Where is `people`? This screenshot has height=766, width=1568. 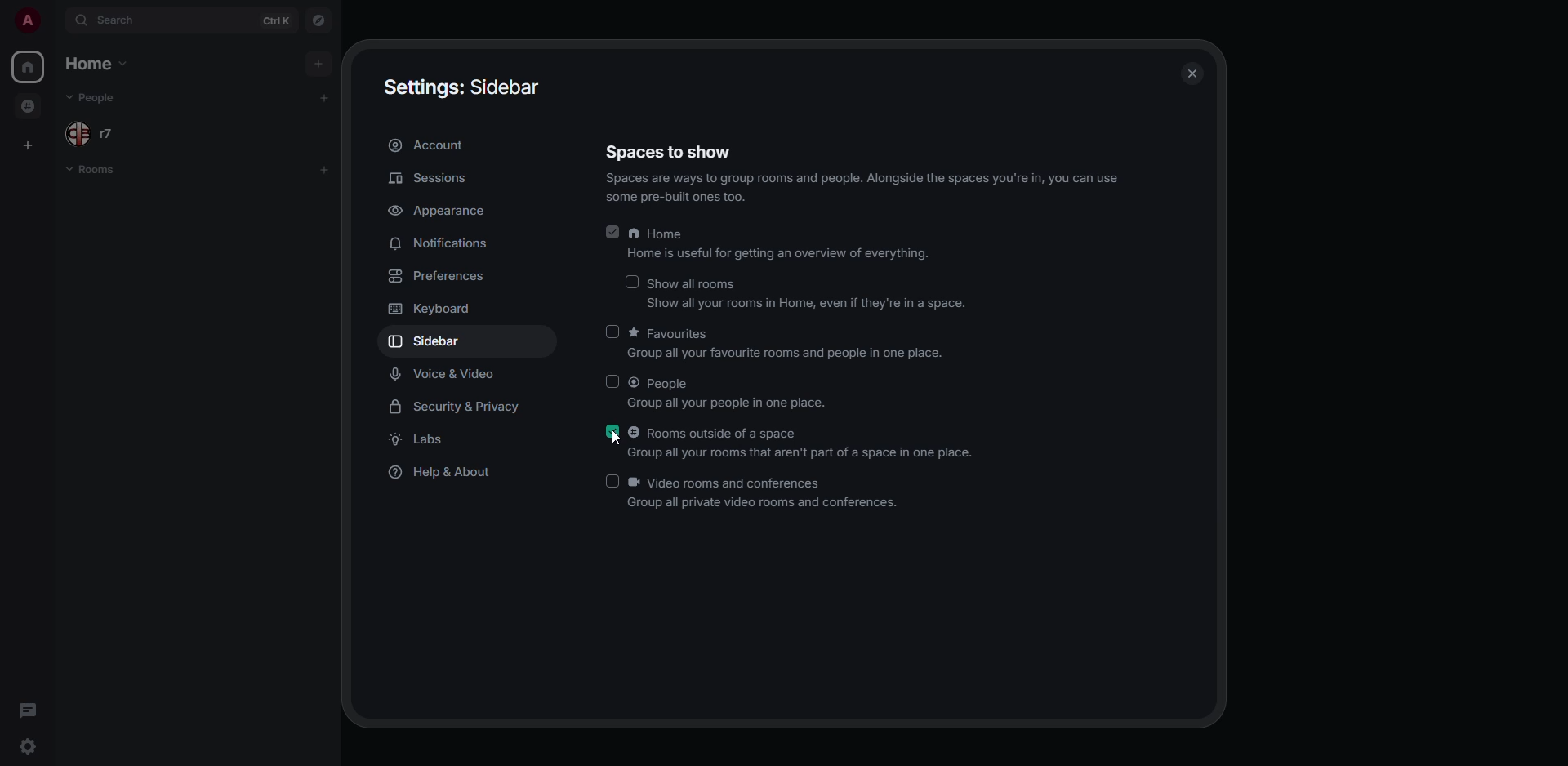
people is located at coordinates (95, 96).